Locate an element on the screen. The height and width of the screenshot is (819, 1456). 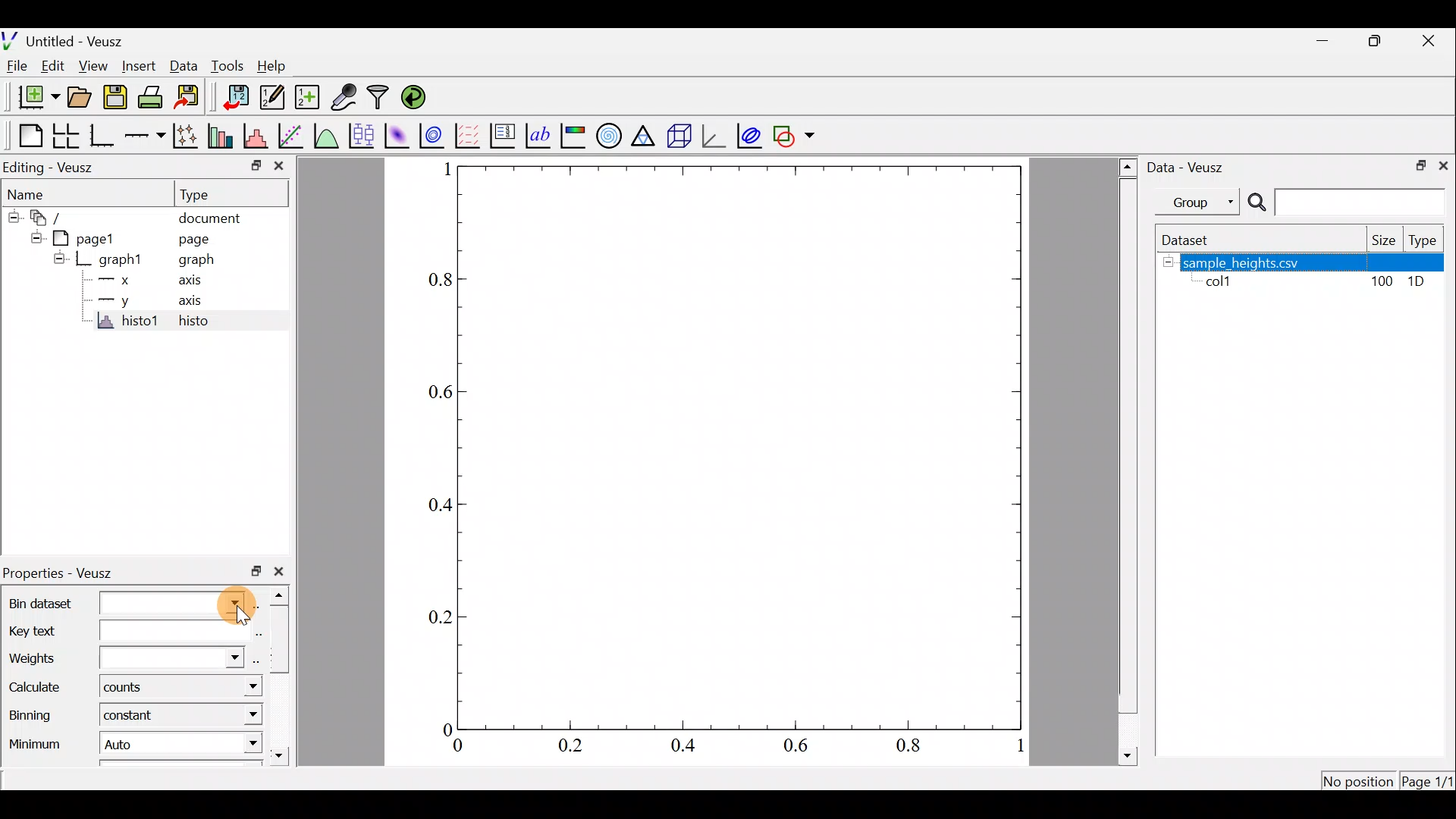
Bin dataset is located at coordinates (115, 601).